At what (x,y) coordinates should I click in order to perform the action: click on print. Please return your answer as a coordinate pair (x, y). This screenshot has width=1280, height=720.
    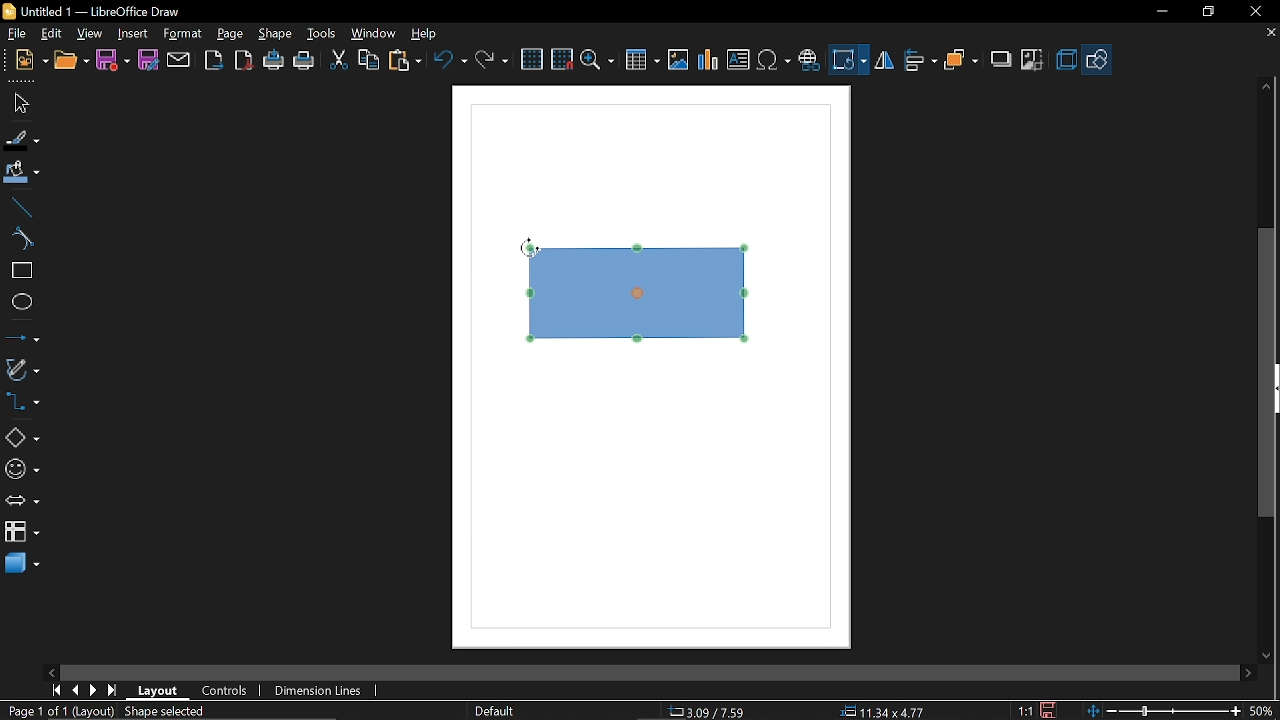
    Looking at the image, I should click on (305, 62).